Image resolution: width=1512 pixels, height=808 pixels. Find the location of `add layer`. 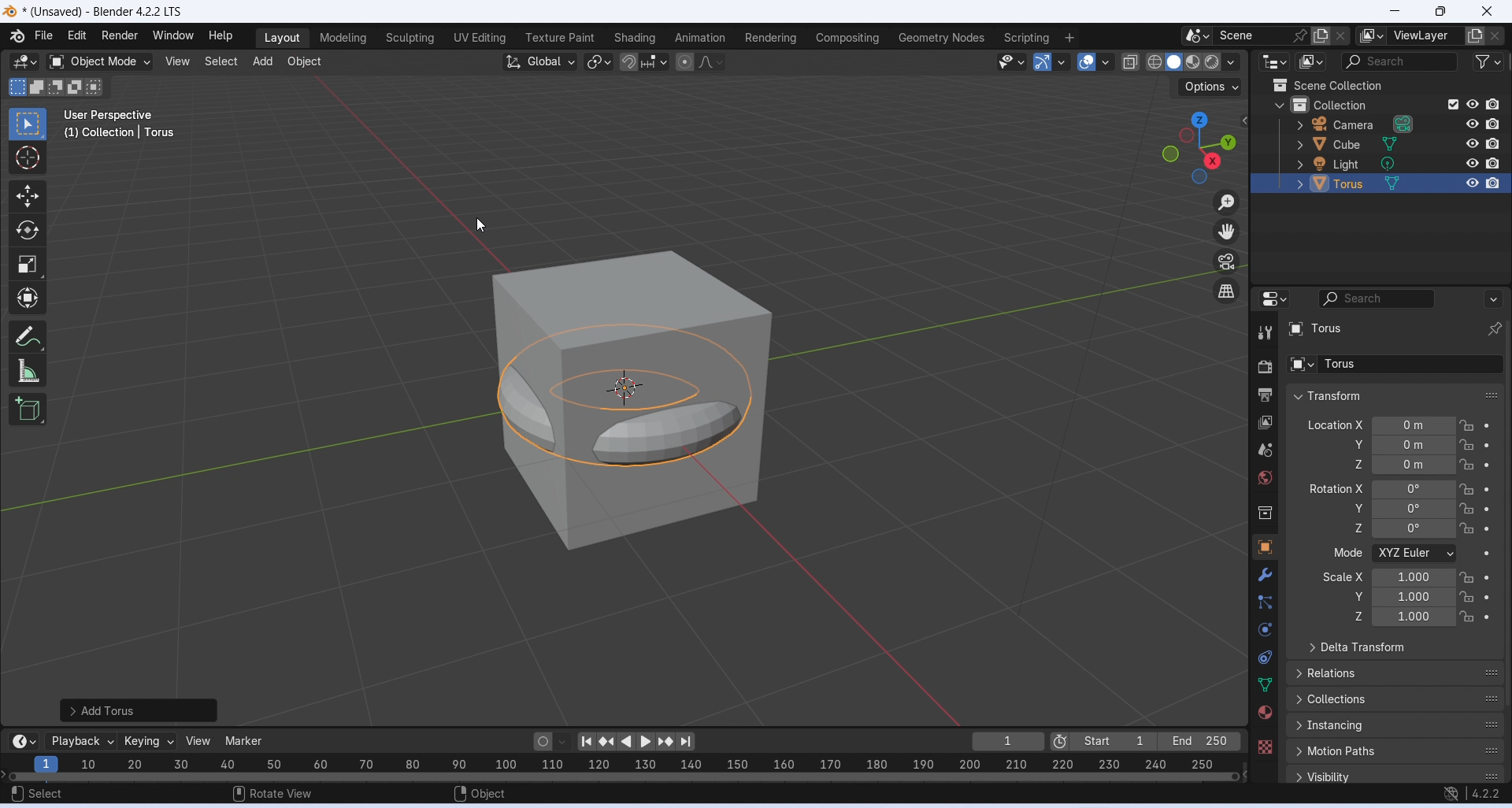

add layer is located at coordinates (1476, 38).